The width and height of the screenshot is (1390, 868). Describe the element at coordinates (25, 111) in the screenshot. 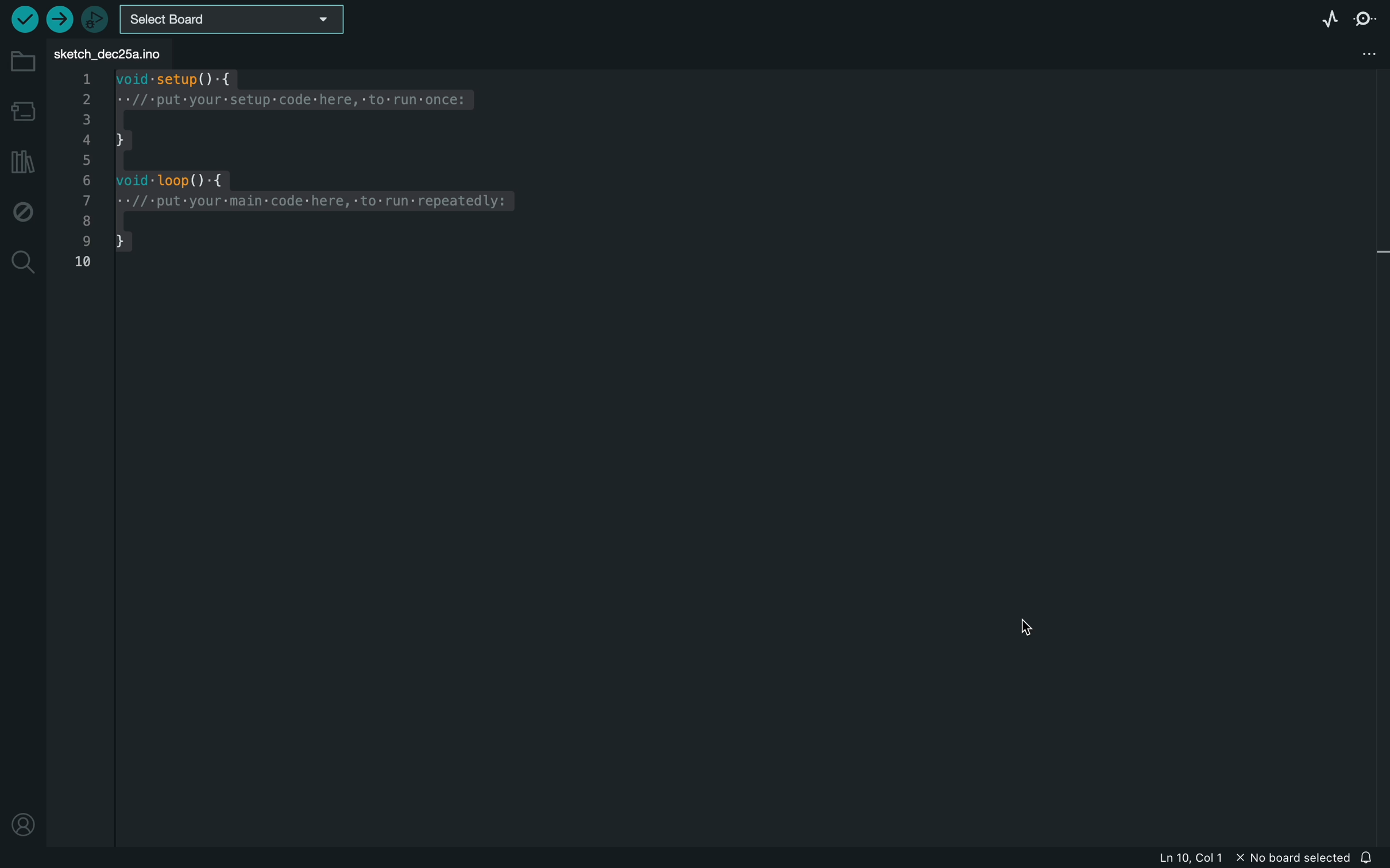

I see `board  manager` at that location.